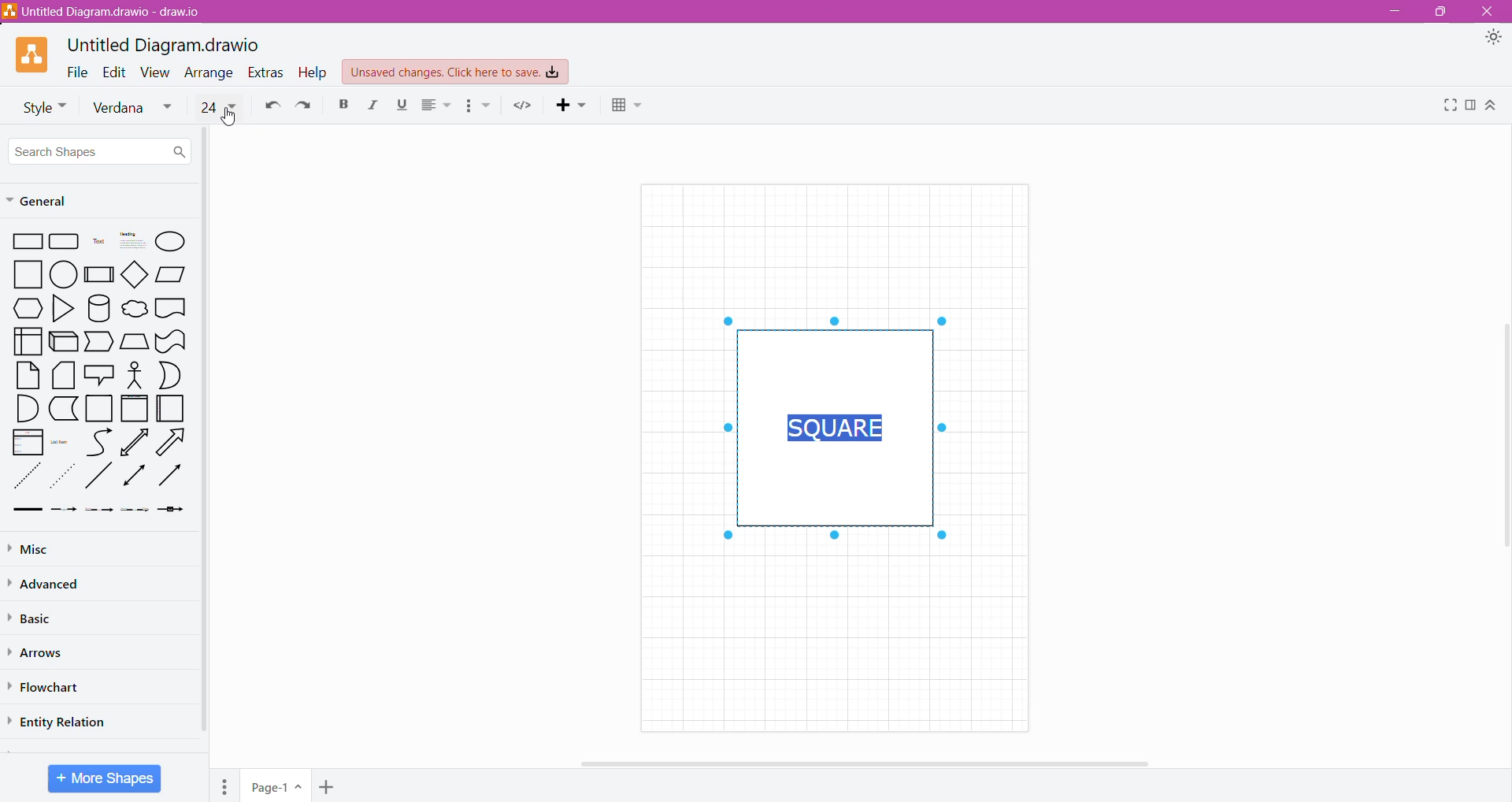 Image resolution: width=1512 pixels, height=802 pixels. I want to click on General, so click(53, 200).